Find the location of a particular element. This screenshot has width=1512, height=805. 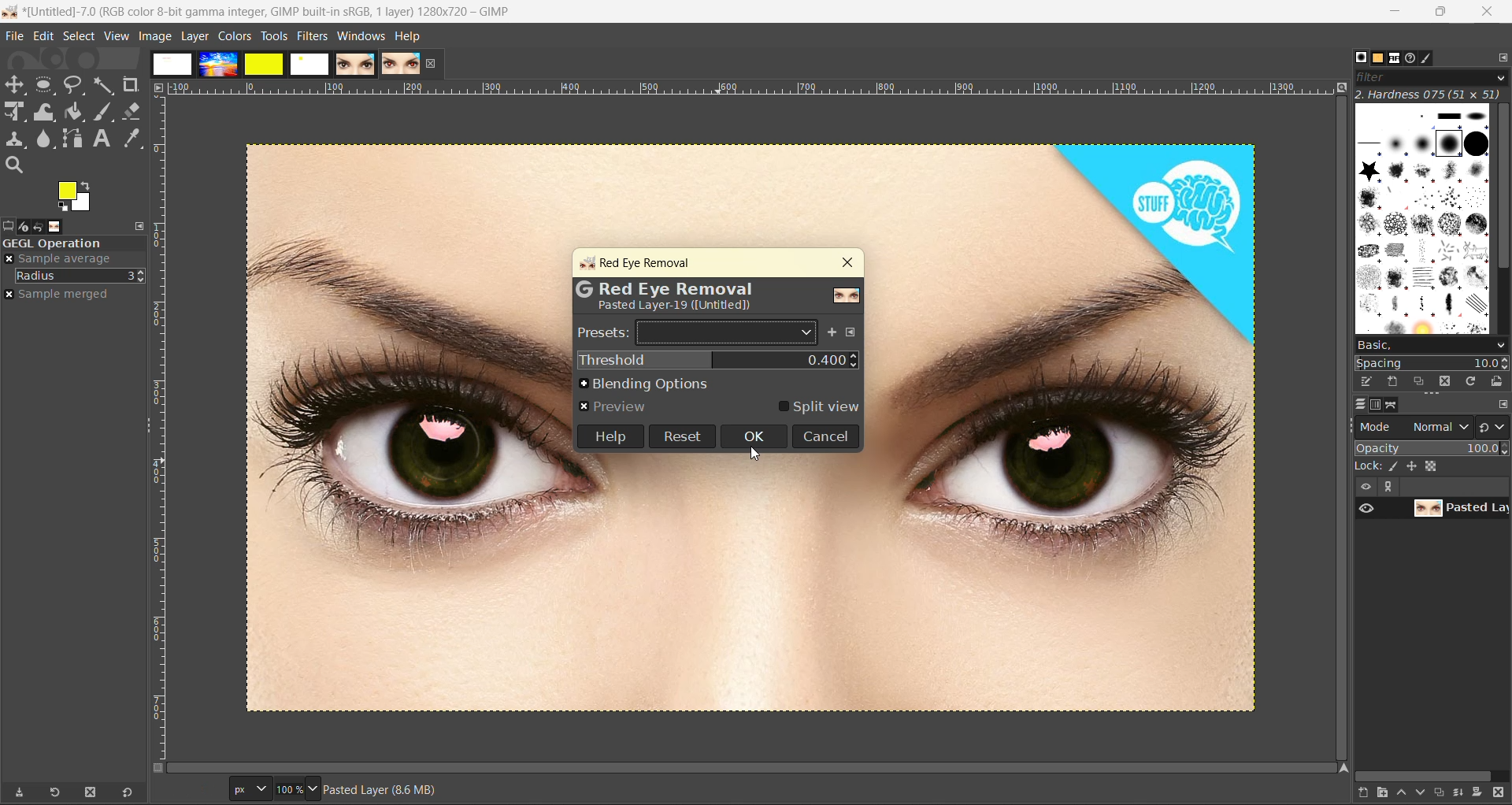

raise this layer is located at coordinates (1397, 793).